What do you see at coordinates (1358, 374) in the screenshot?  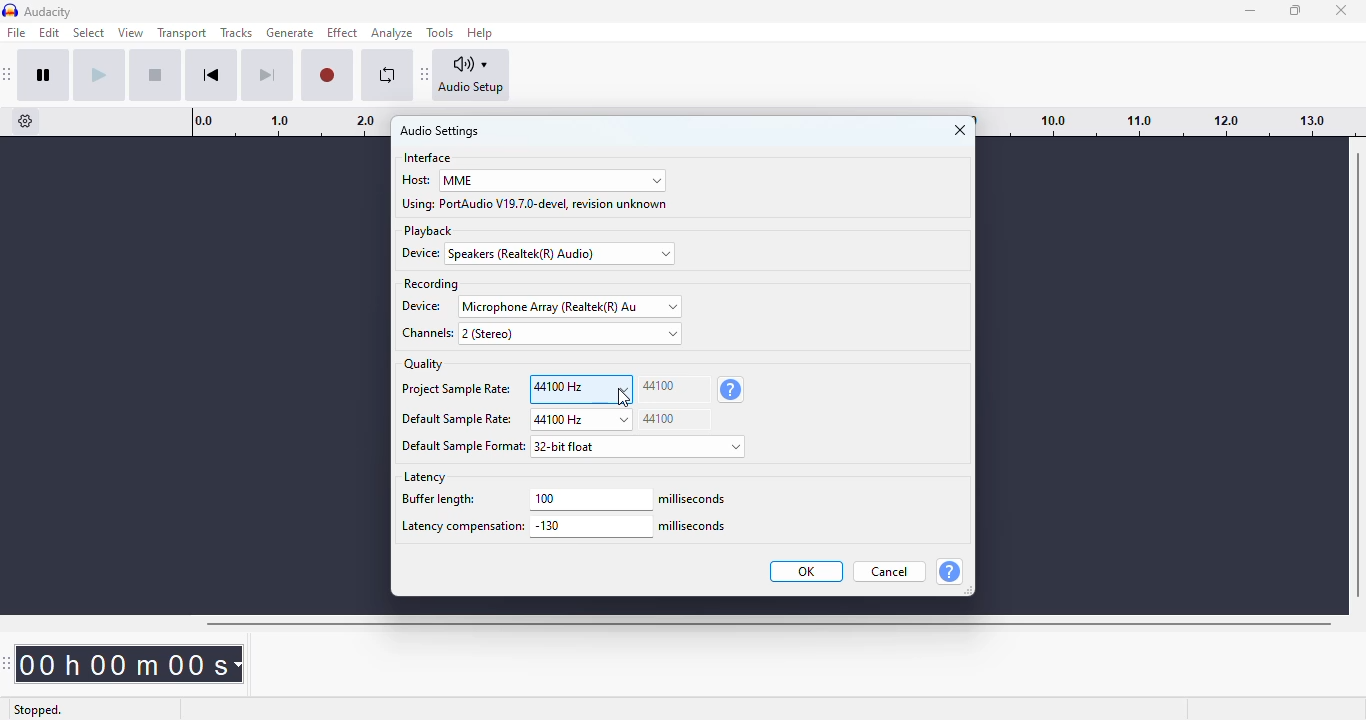 I see `vertical scrollbar` at bounding box center [1358, 374].